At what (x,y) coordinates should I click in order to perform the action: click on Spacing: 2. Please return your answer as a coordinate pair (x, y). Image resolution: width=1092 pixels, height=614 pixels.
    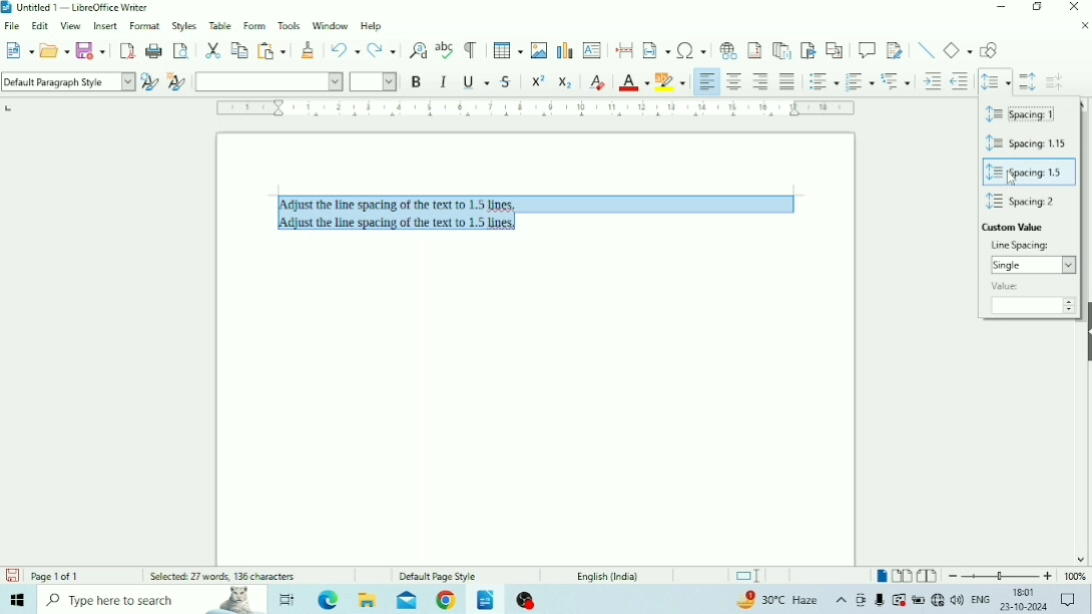
    Looking at the image, I should click on (1021, 202).